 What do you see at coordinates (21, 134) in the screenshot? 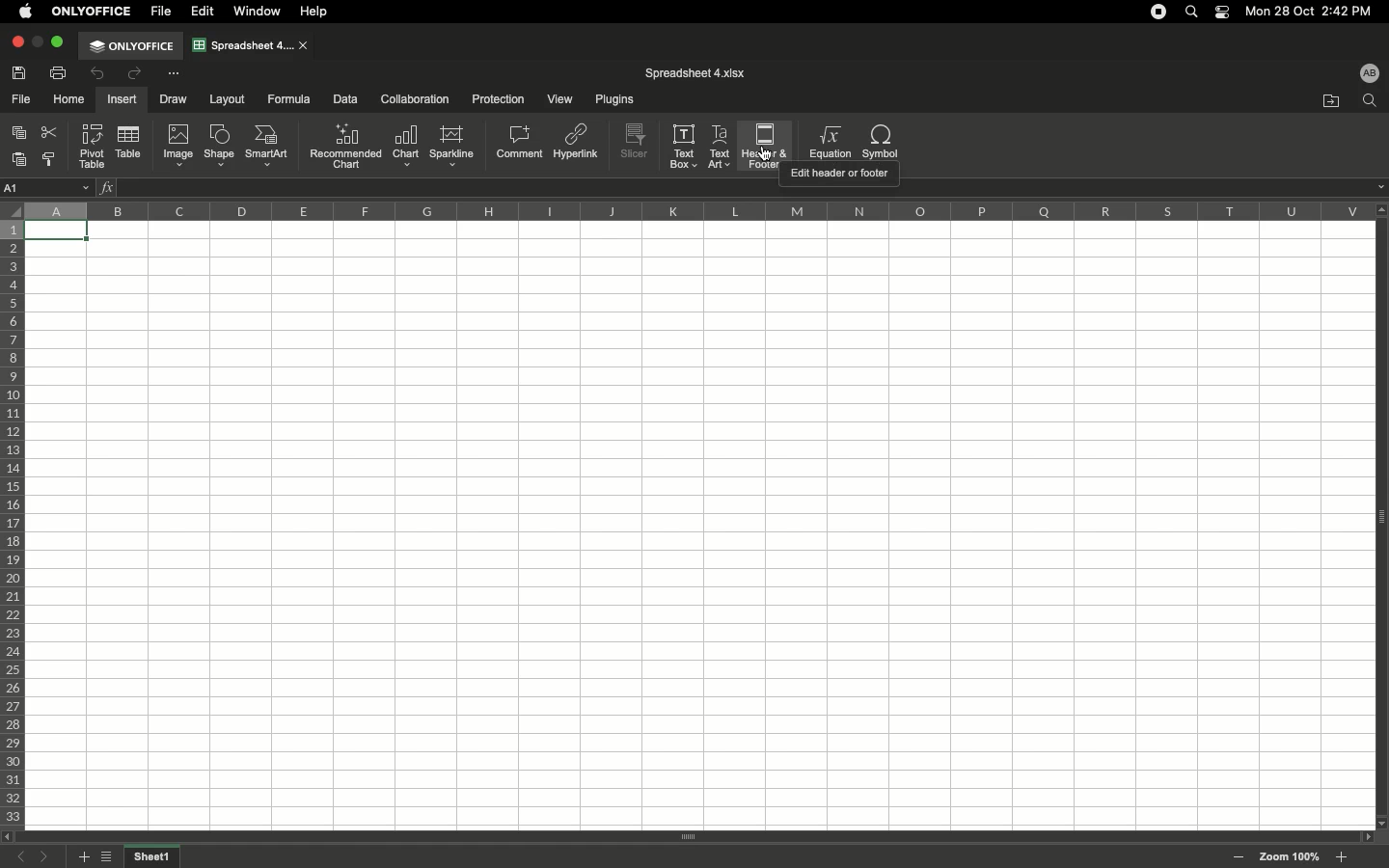
I see `Copy` at bounding box center [21, 134].